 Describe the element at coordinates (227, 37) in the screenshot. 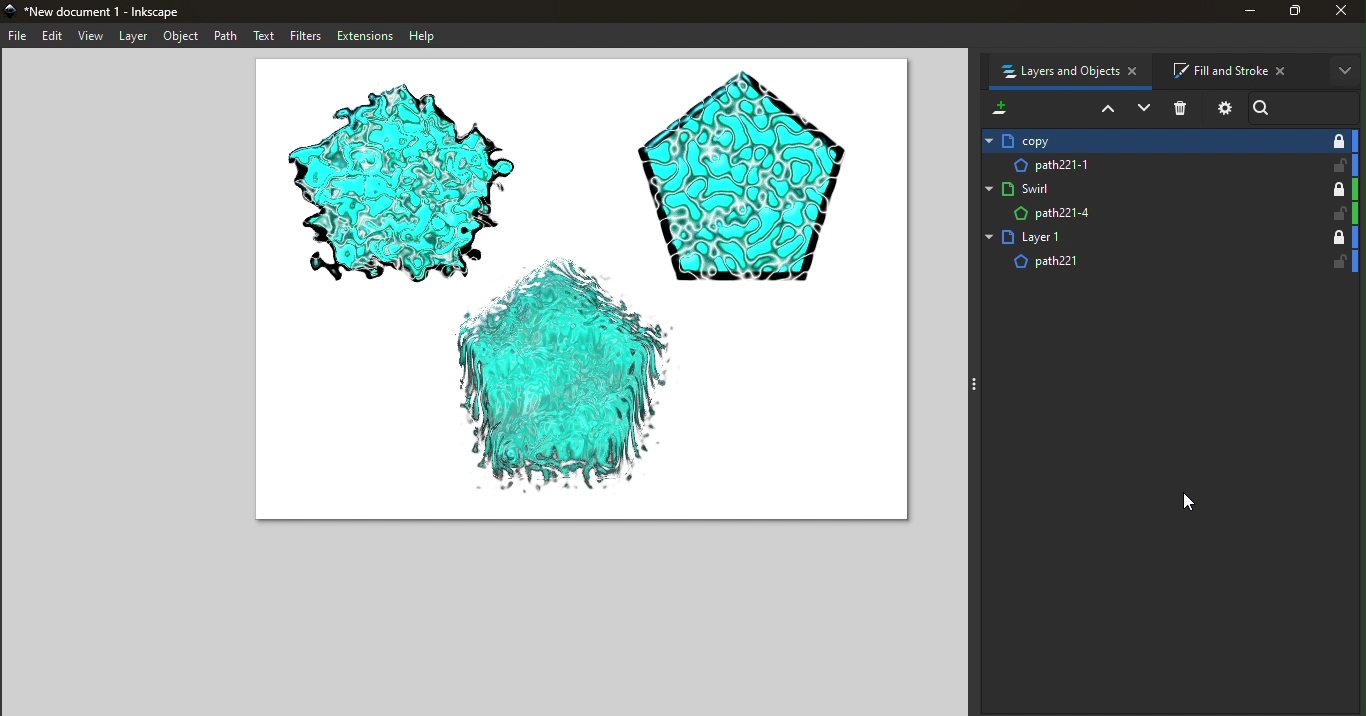

I see `Path` at that location.